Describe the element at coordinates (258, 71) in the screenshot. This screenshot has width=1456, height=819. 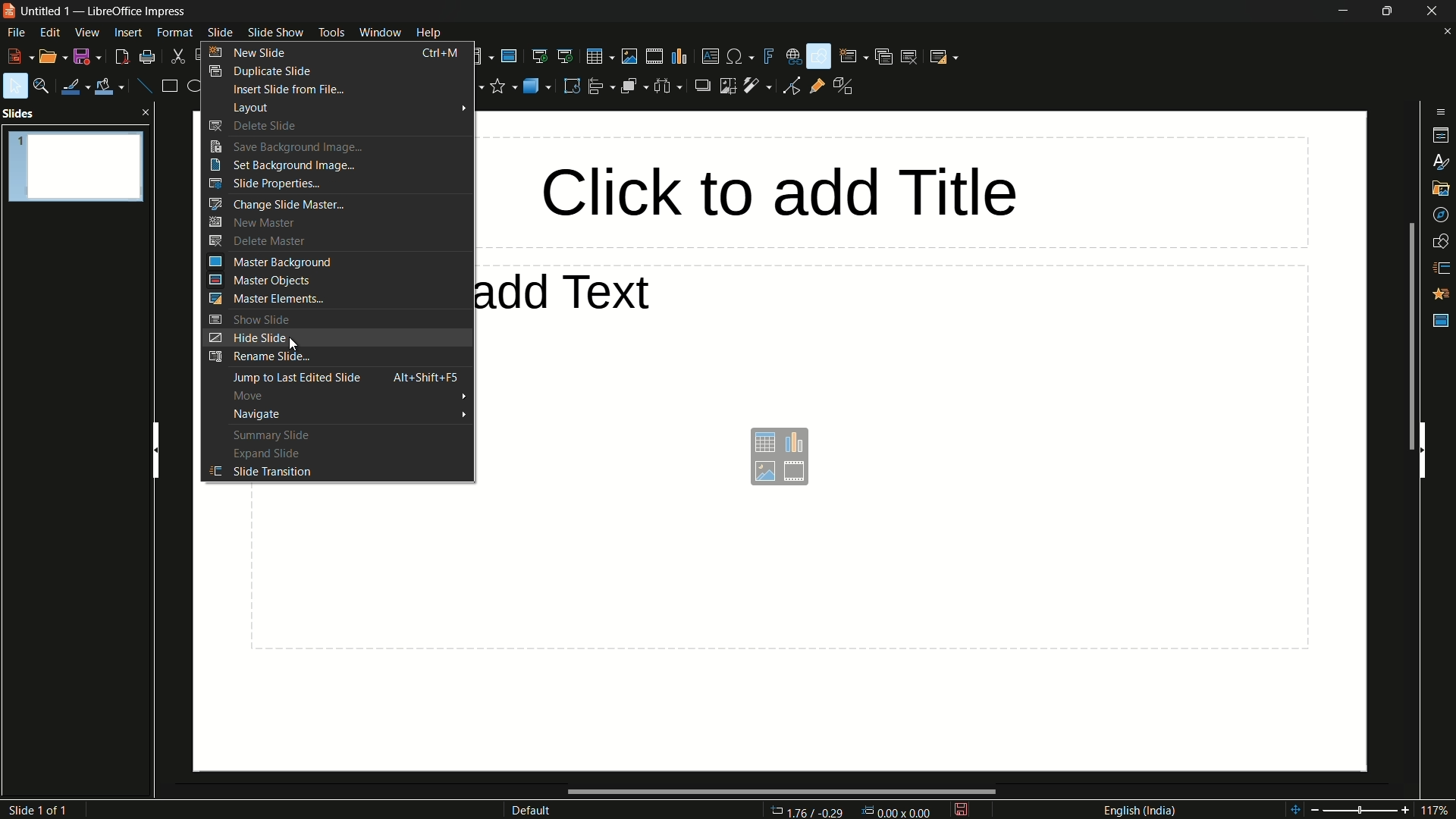
I see `duplicate slide` at that location.